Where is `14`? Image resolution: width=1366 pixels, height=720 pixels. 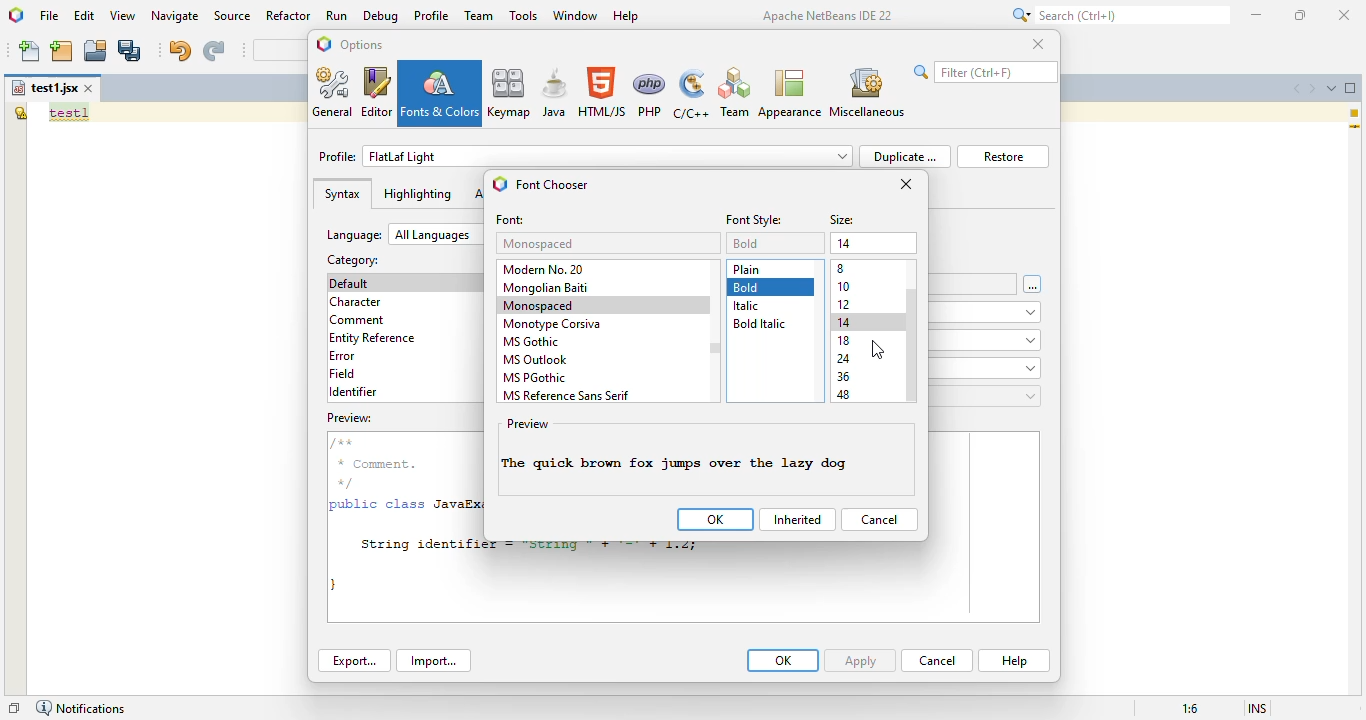 14 is located at coordinates (846, 323).